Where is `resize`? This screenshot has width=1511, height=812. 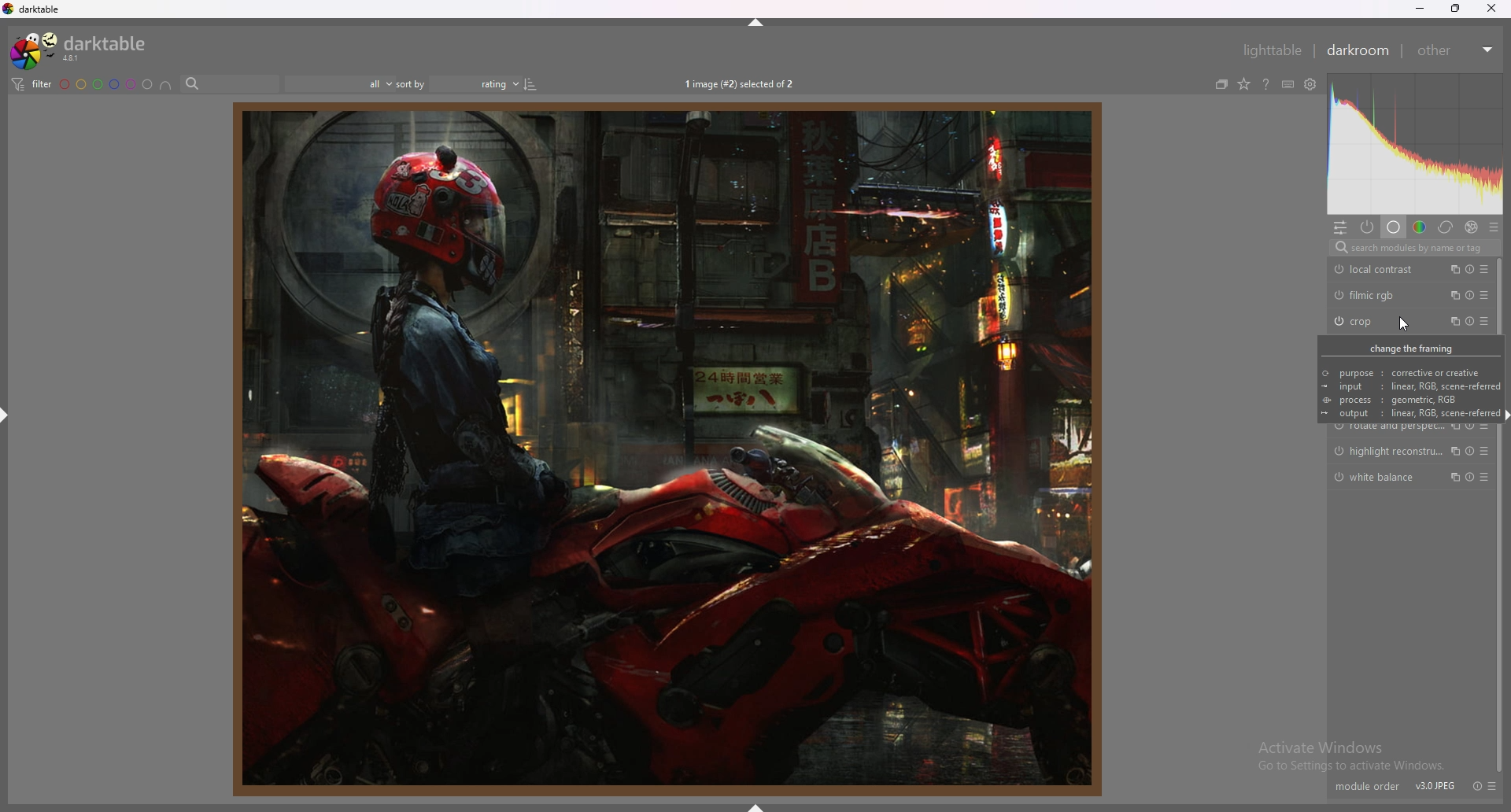 resize is located at coordinates (1455, 8).